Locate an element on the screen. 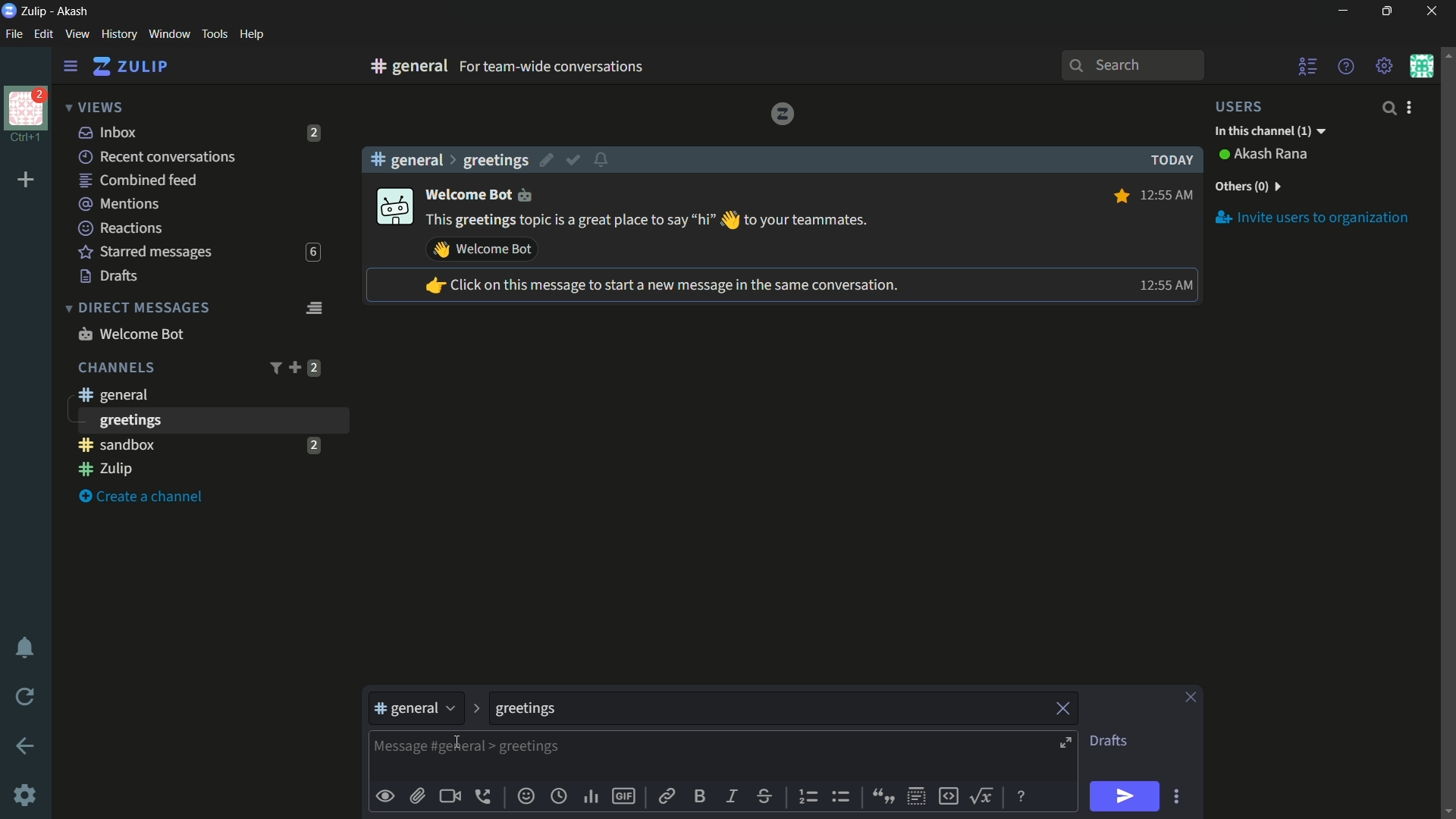 This screenshot has width=1456, height=819. upload files is located at coordinates (417, 796).